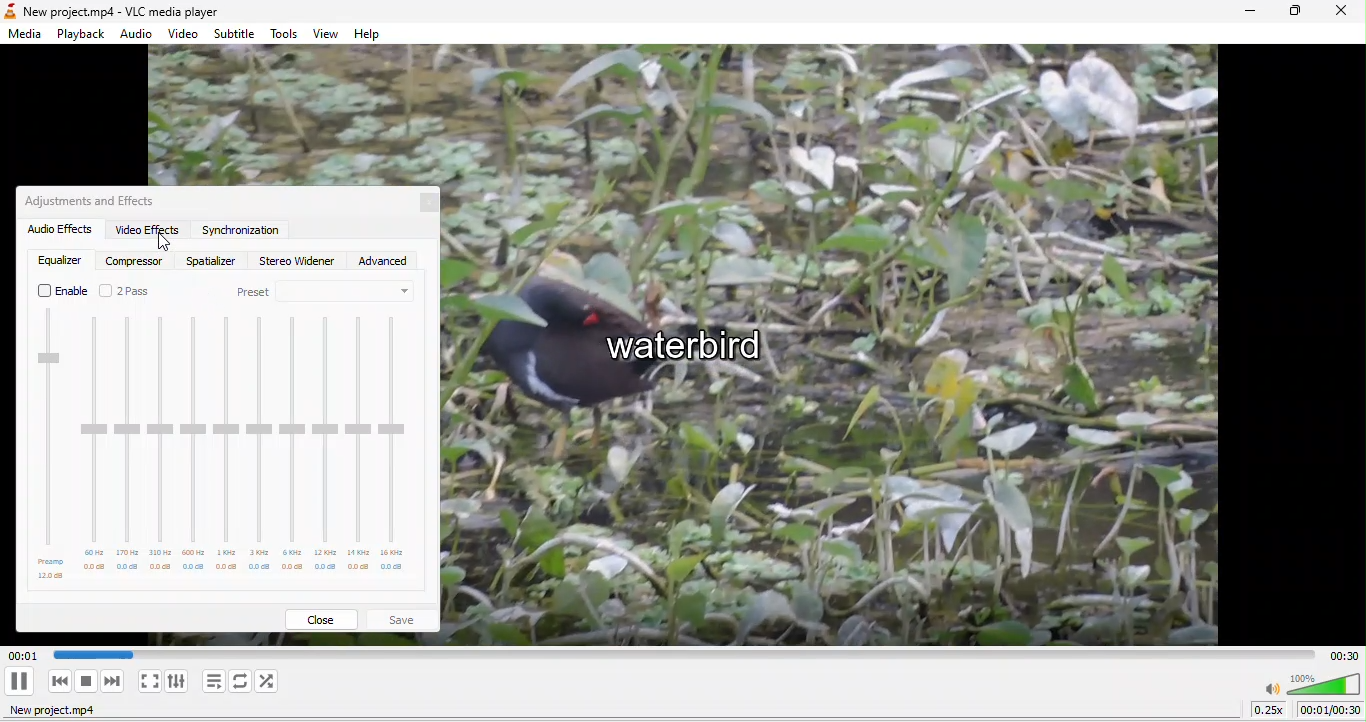 This screenshot has width=1366, height=722. I want to click on audio, so click(138, 34).